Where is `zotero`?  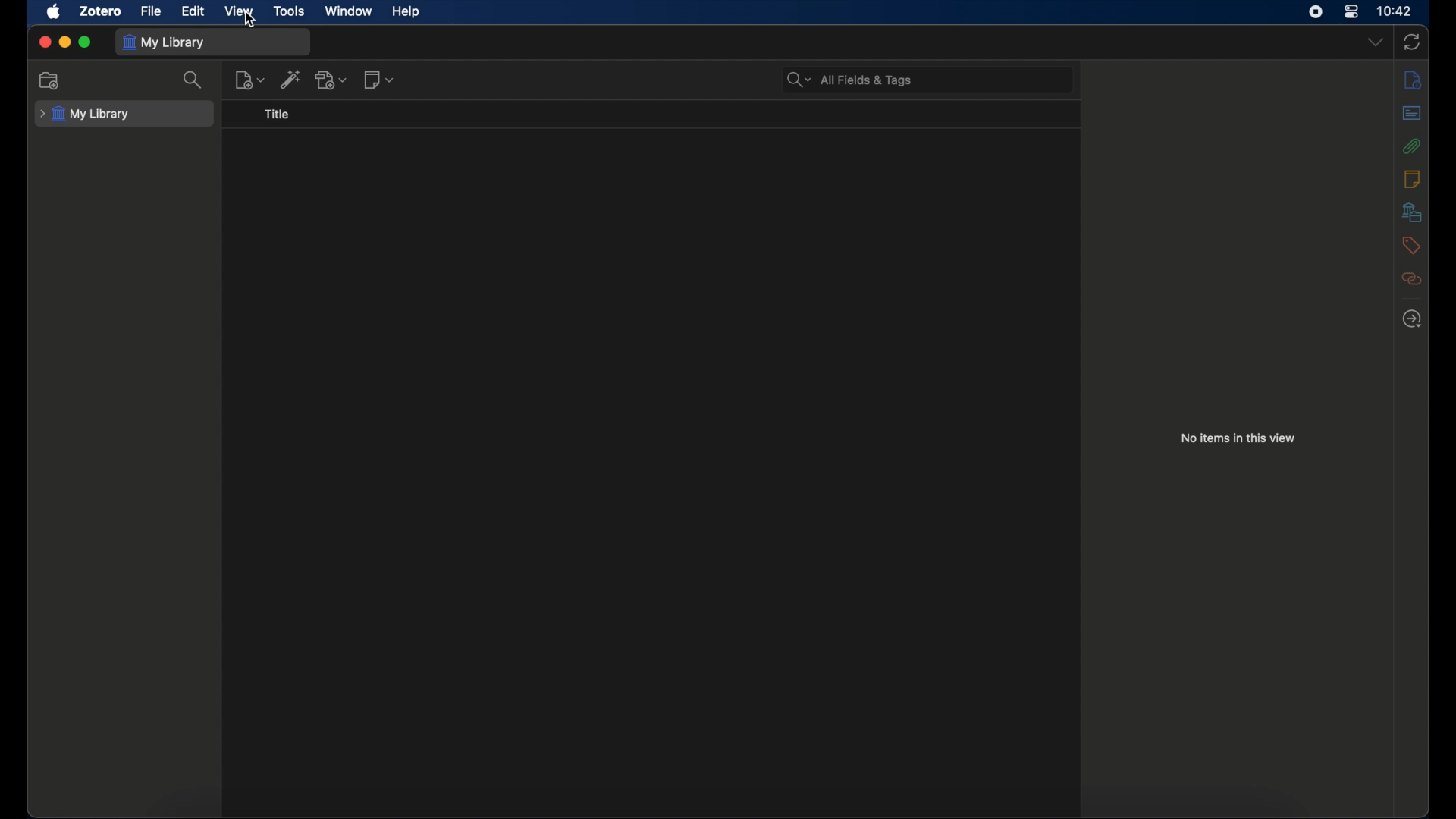
zotero is located at coordinates (99, 11).